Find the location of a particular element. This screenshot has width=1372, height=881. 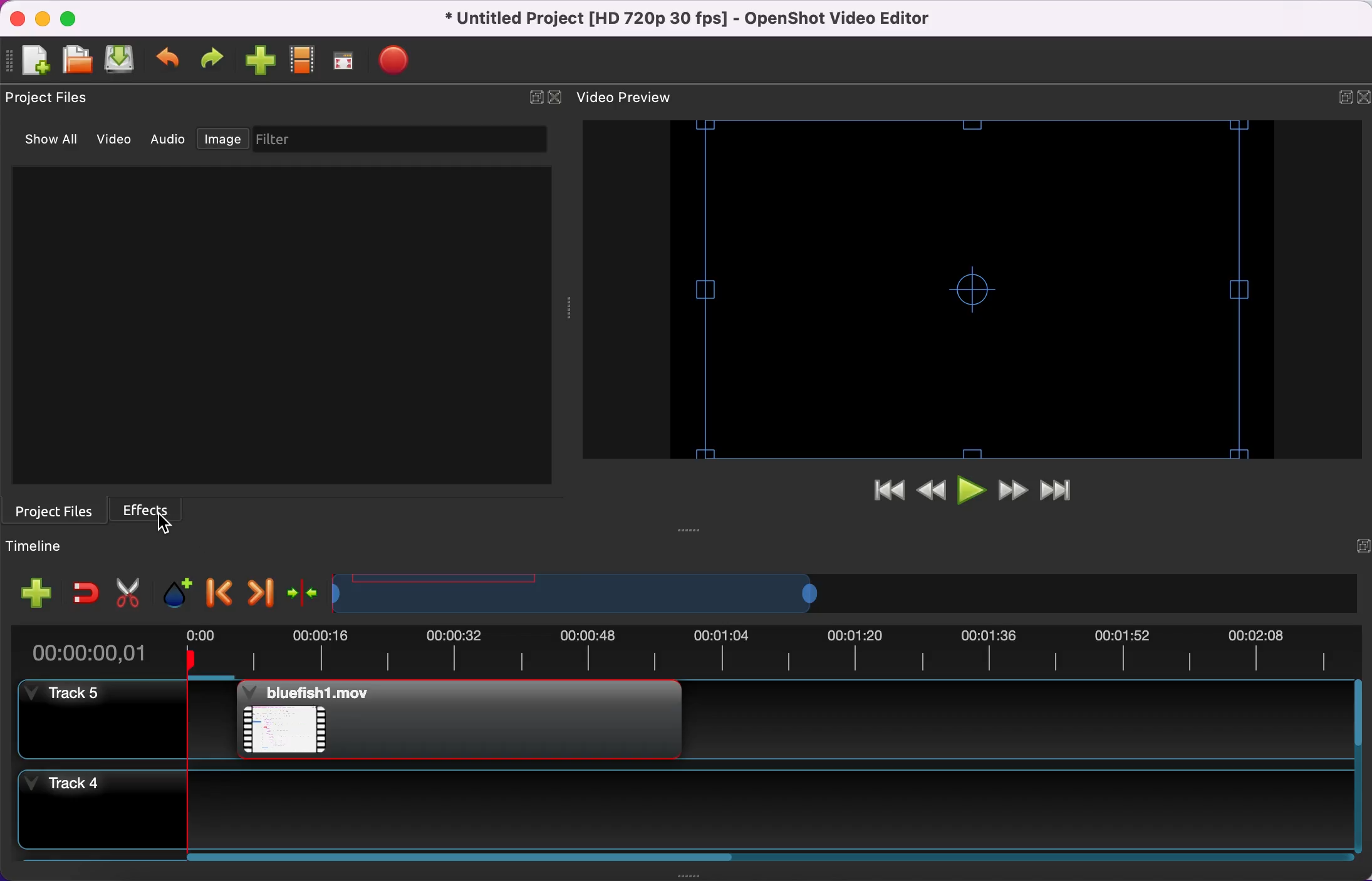

show all is located at coordinates (46, 141).